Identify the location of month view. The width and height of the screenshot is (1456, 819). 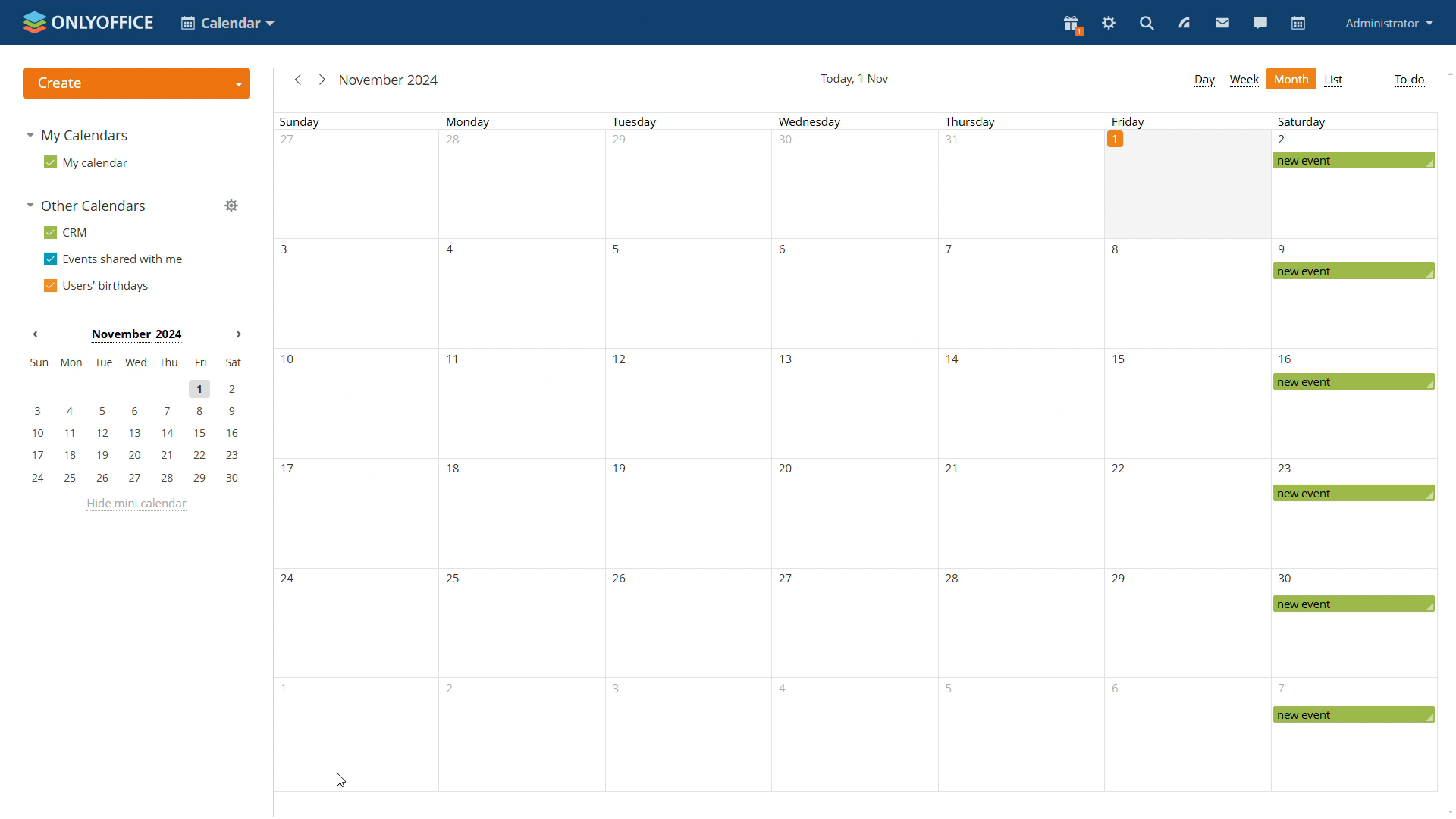
(1292, 77).